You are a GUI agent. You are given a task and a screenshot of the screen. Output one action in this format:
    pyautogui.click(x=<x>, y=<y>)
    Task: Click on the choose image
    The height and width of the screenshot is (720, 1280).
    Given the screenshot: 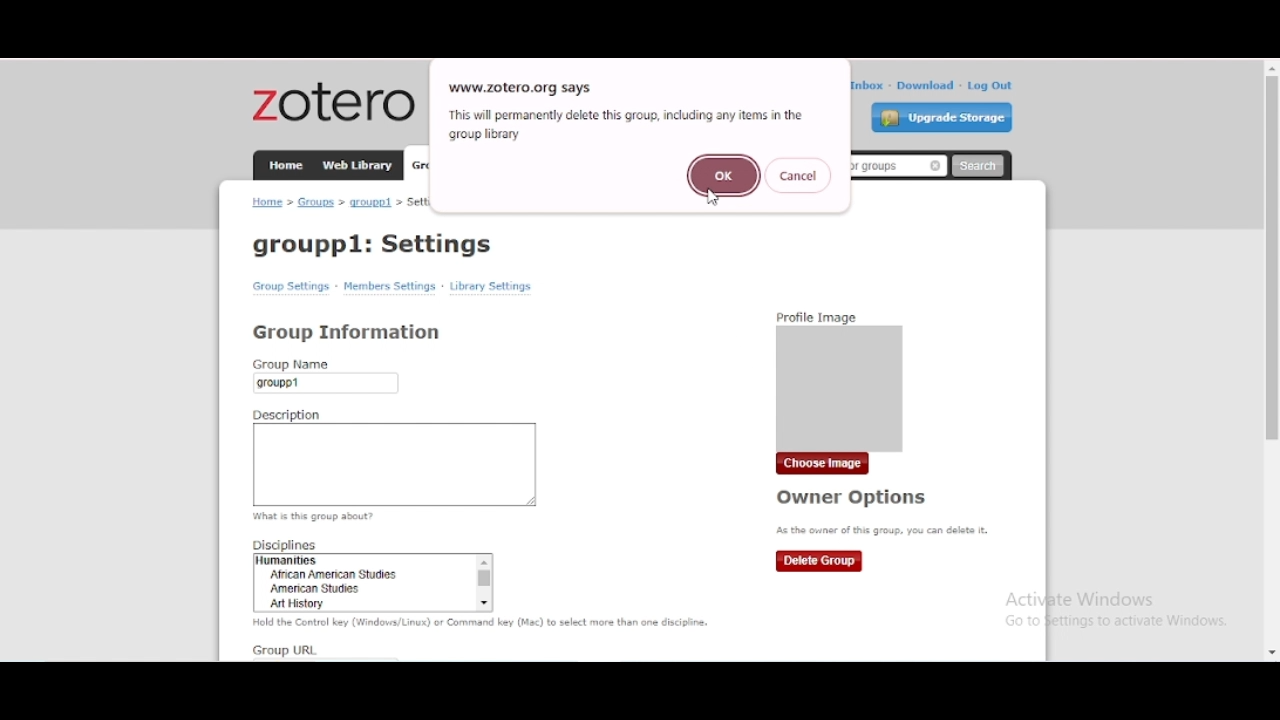 What is the action you would take?
    pyautogui.click(x=822, y=464)
    